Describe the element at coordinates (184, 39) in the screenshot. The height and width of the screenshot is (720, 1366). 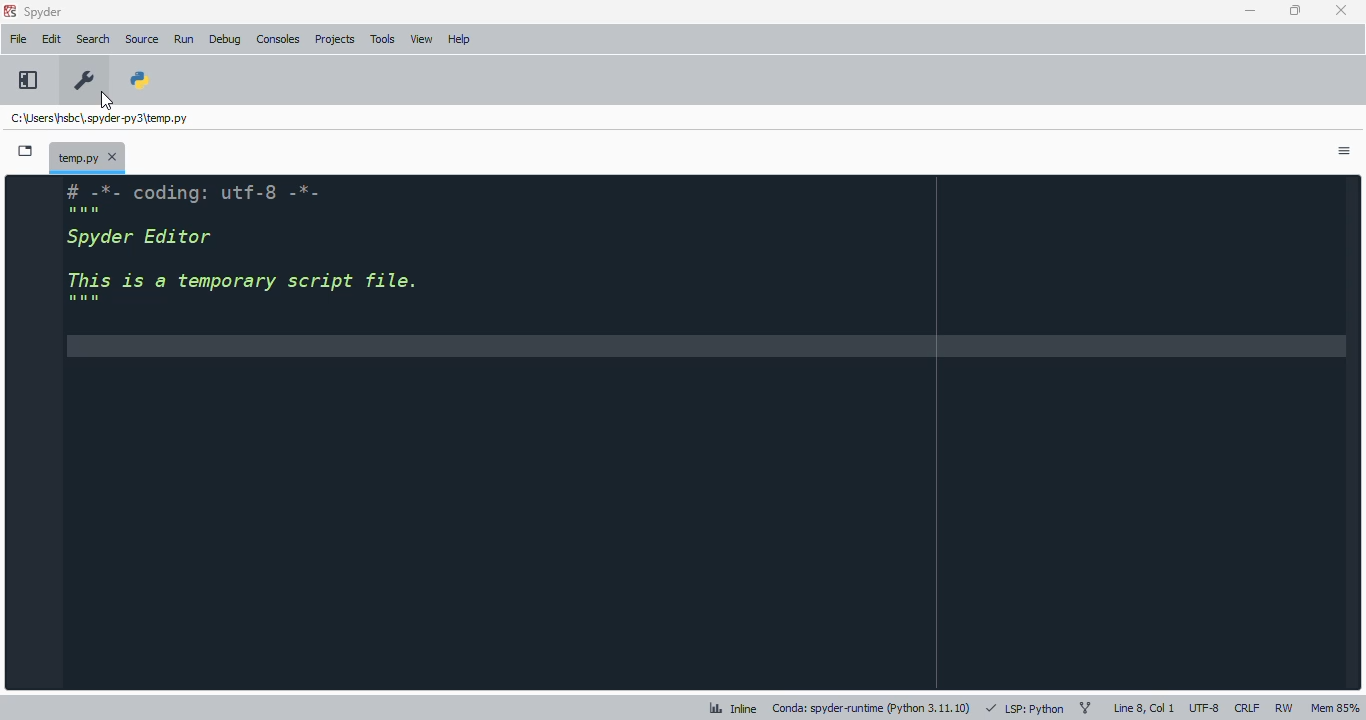
I see `run` at that location.